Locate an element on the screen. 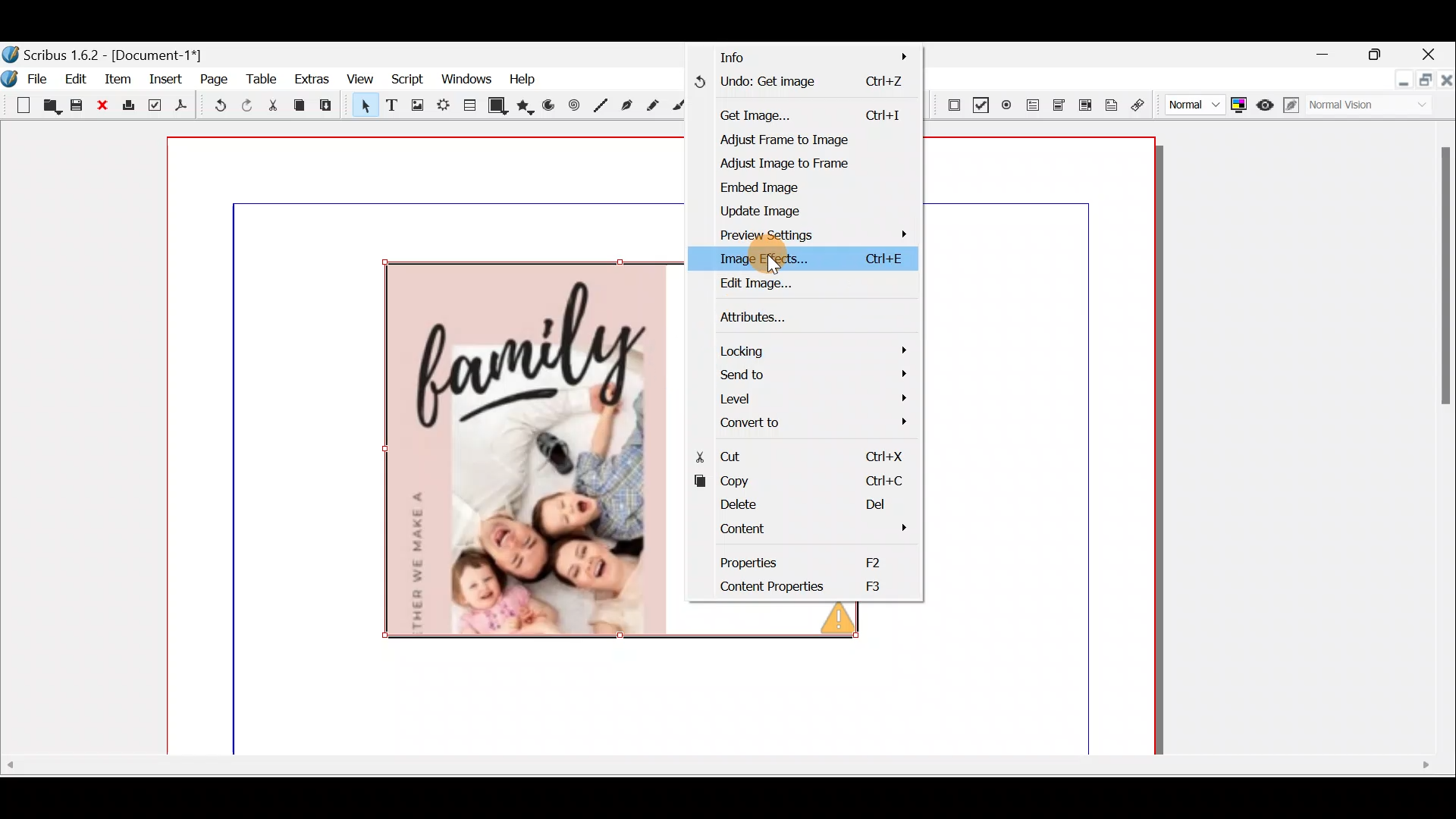 This screenshot has width=1456, height=819. Insert is located at coordinates (168, 78).